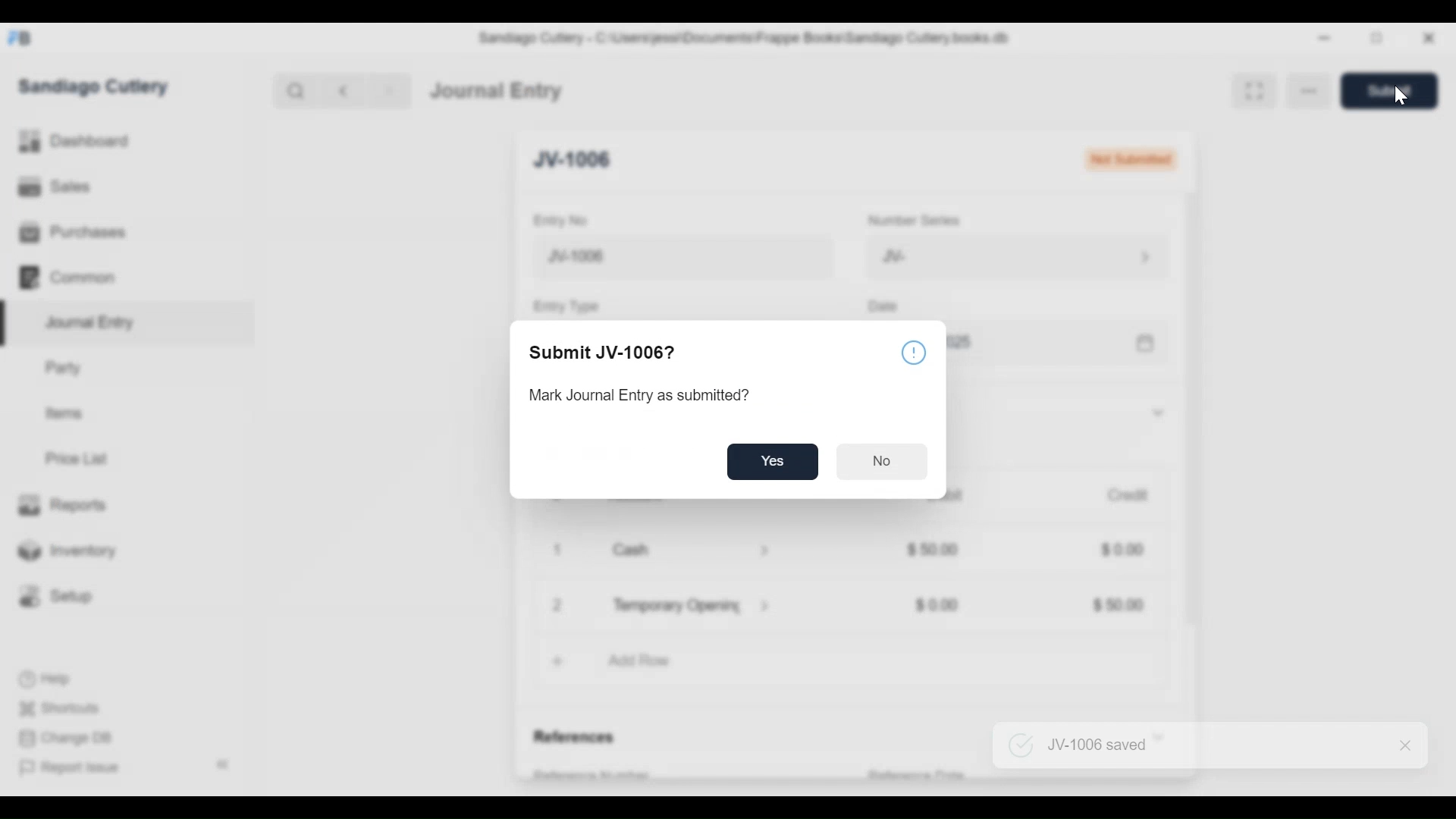 Image resolution: width=1456 pixels, height=819 pixels. What do you see at coordinates (884, 462) in the screenshot?
I see `No` at bounding box center [884, 462].